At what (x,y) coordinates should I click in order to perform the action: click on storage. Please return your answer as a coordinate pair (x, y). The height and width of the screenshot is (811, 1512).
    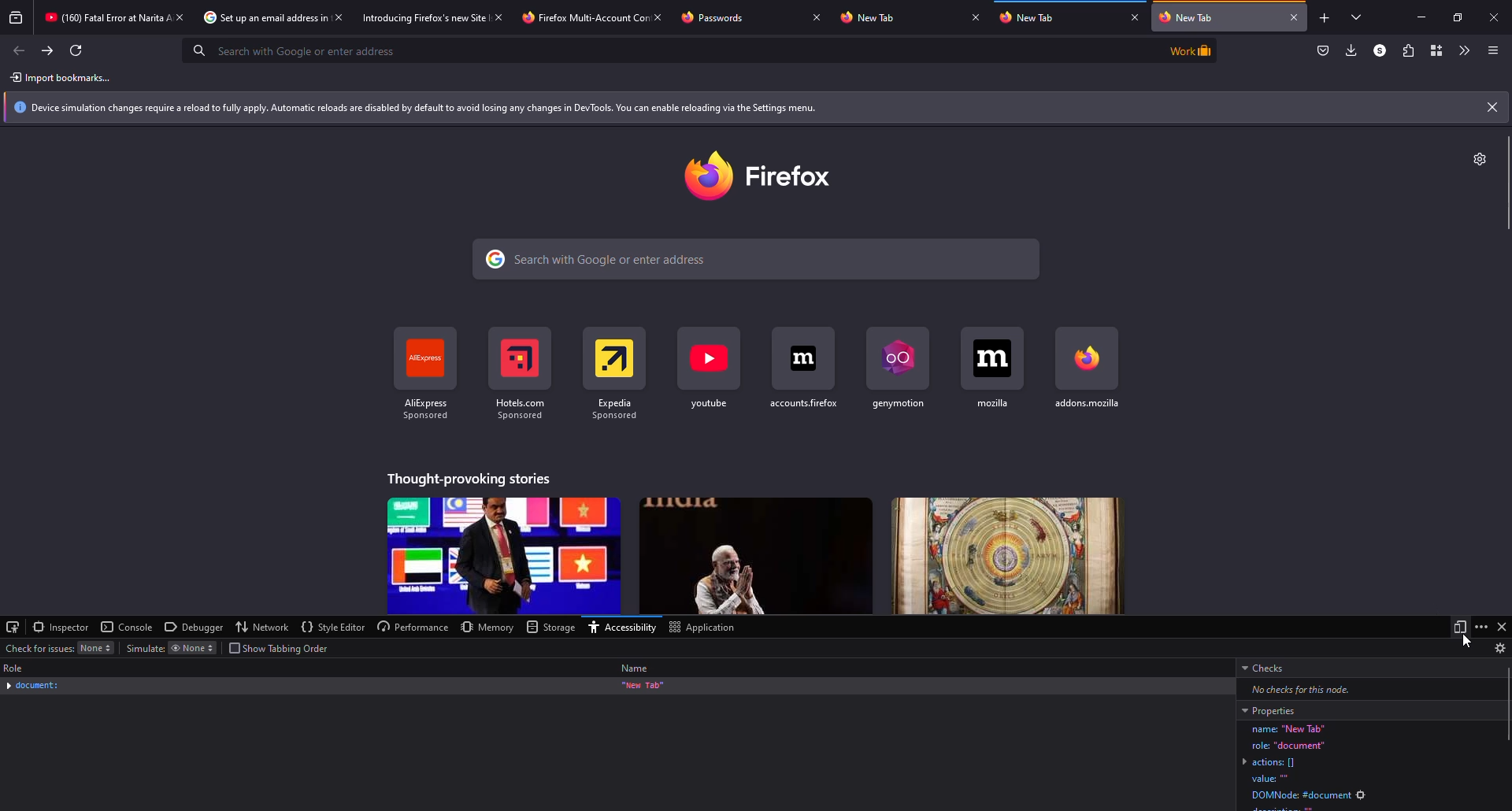
    Looking at the image, I should click on (549, 626).